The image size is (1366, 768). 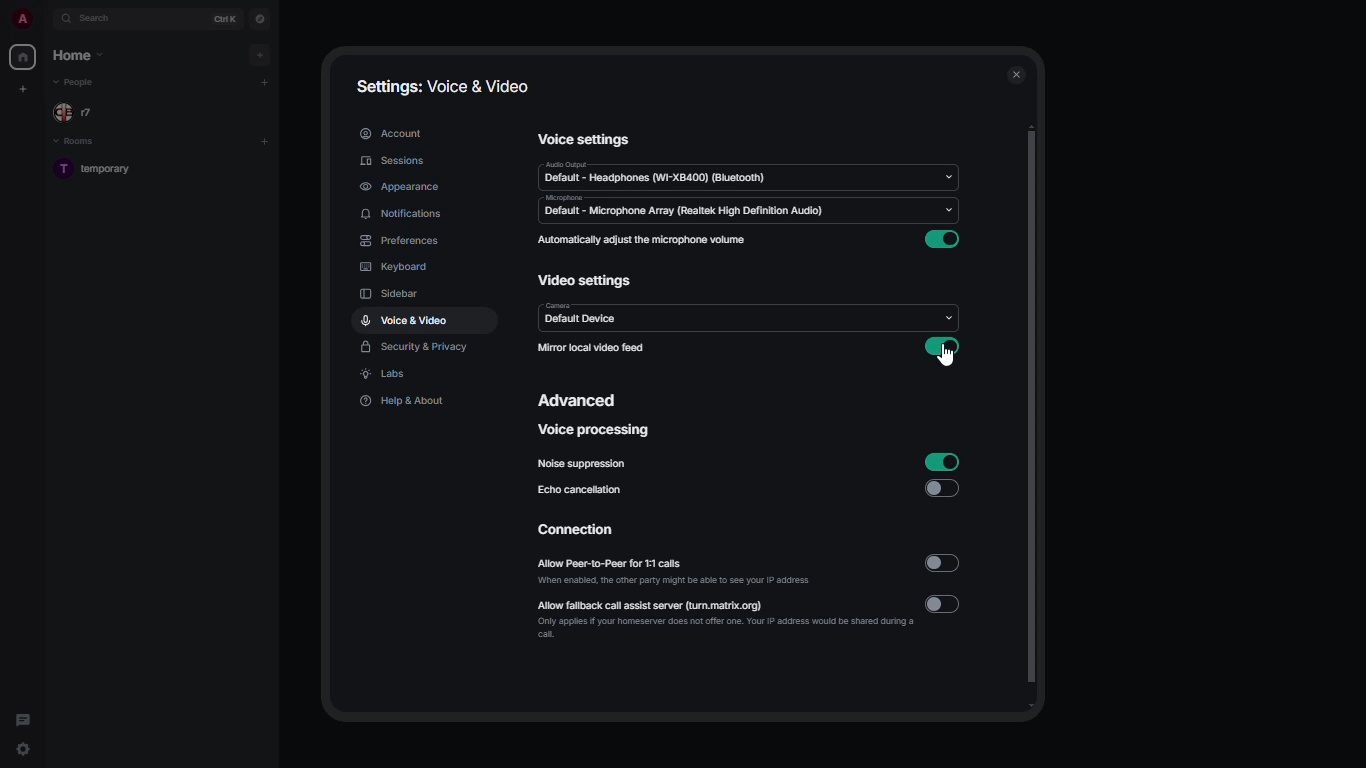 What do you see at coordinates (678, 207) in the screenshot?
I see `microphone default` at bounding box center [678, 207].